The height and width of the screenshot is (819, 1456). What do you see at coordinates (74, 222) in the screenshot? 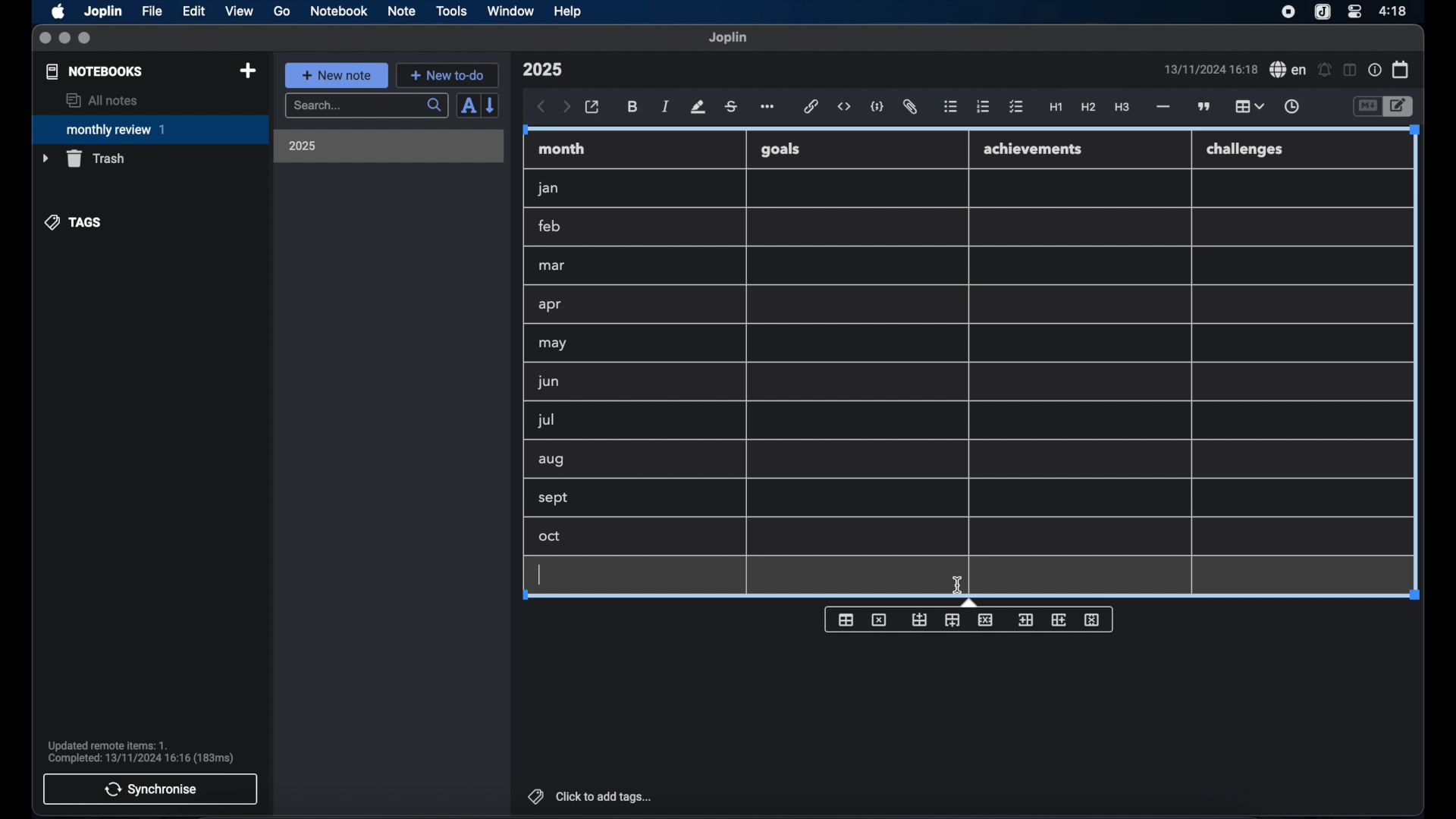
I see `tags` at bounding box center [74, 222].